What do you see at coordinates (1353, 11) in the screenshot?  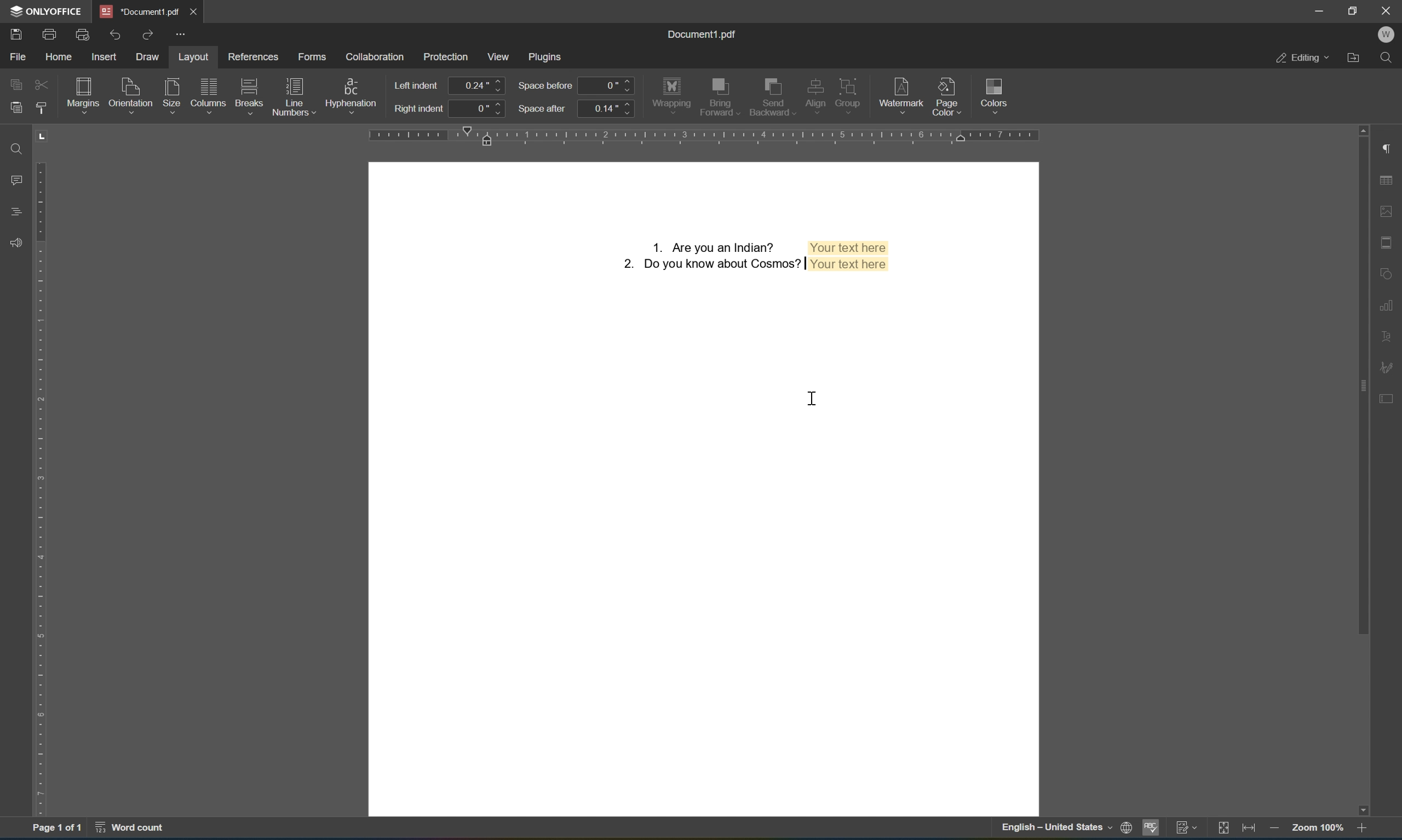 I see `restore down` at bounding box center [1353, 11].